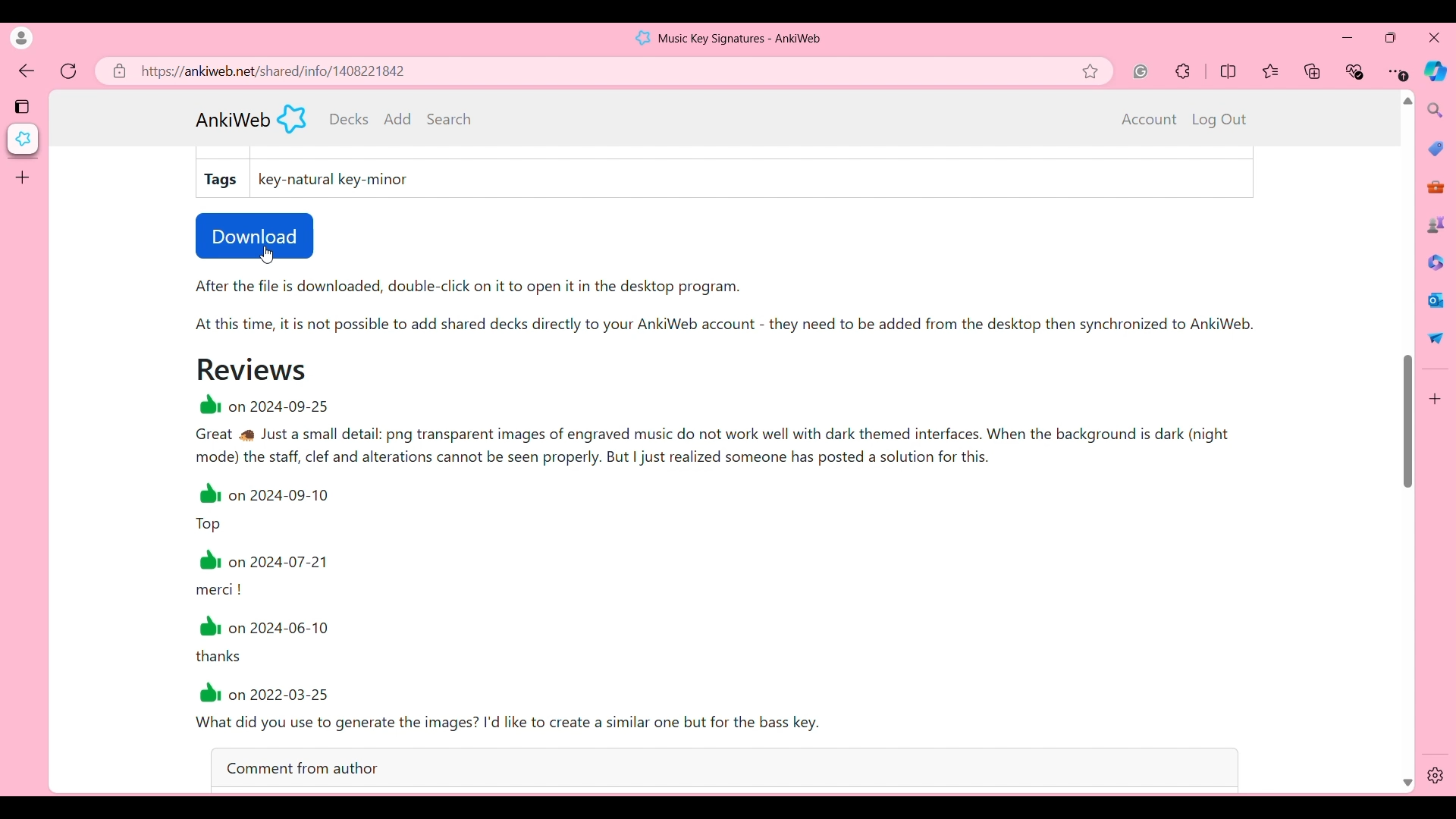 This screenshot has width=1456, height=819. Describe the element at coordinates (1407, 101) in the screenshot. I see `Quick slide to top` at that location.